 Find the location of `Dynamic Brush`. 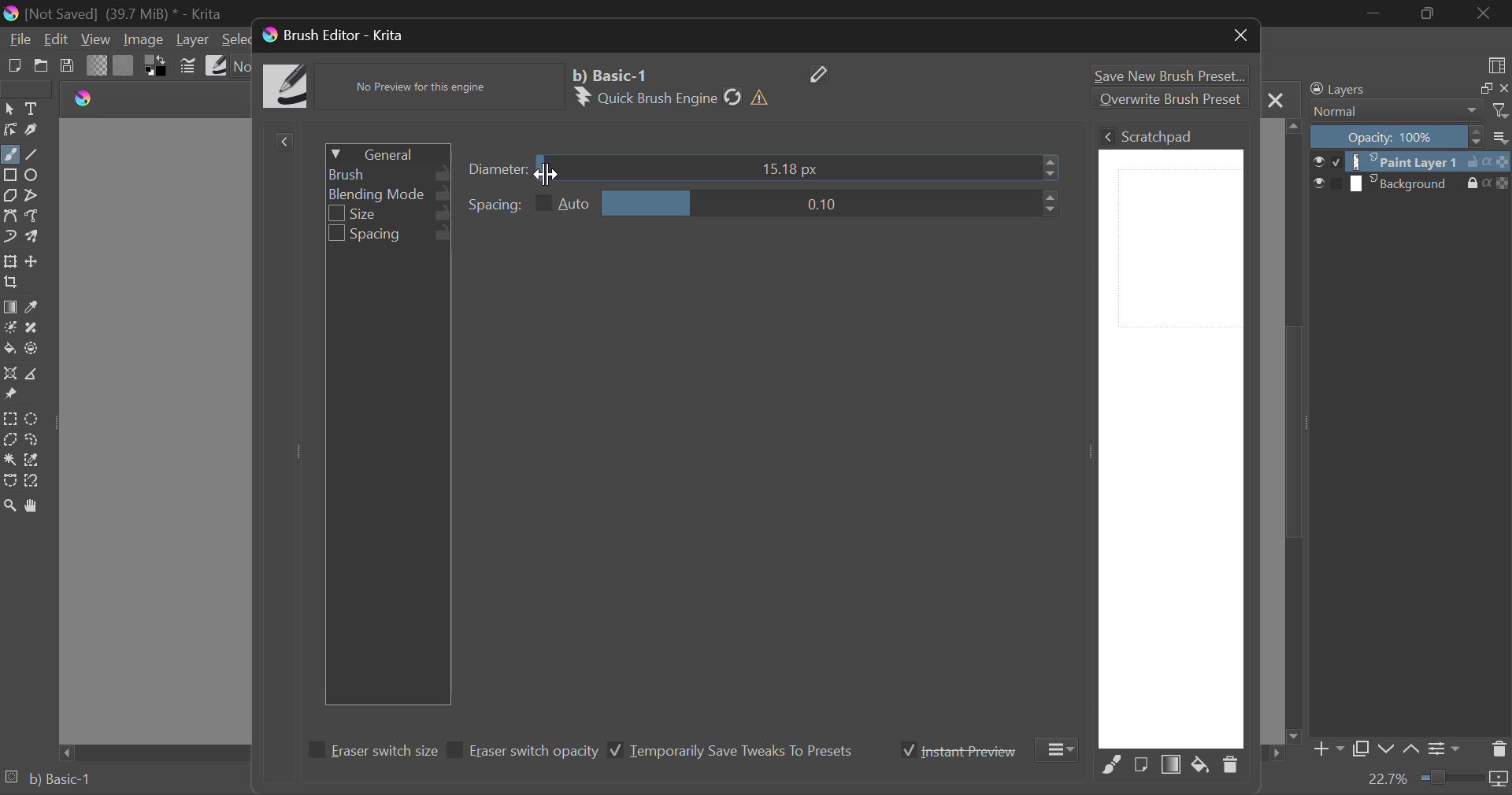

Dynamic Brush is located at coordinates (9, 237).